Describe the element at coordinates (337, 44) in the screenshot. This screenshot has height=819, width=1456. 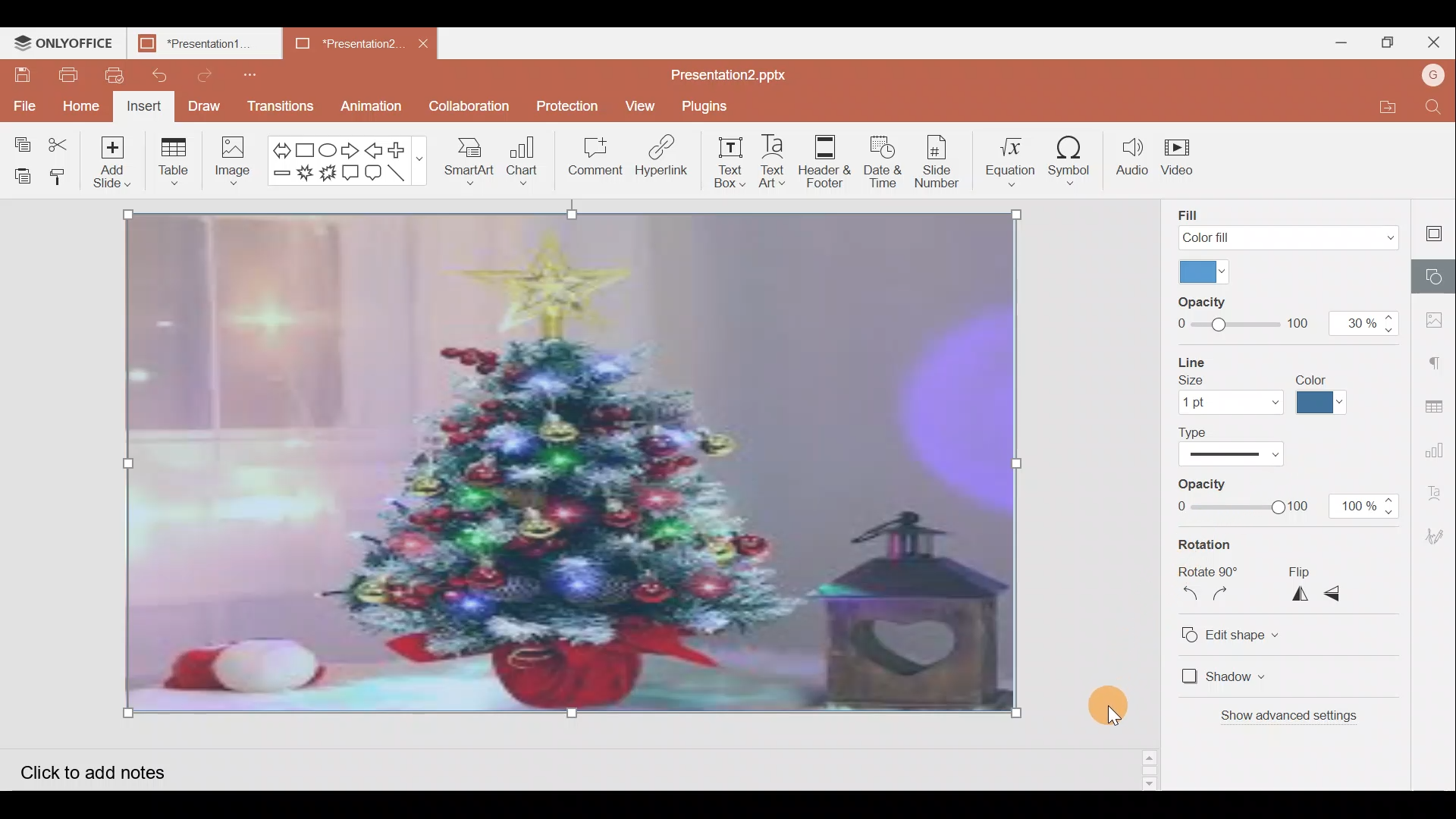
I see `Presentation2.` at that location.